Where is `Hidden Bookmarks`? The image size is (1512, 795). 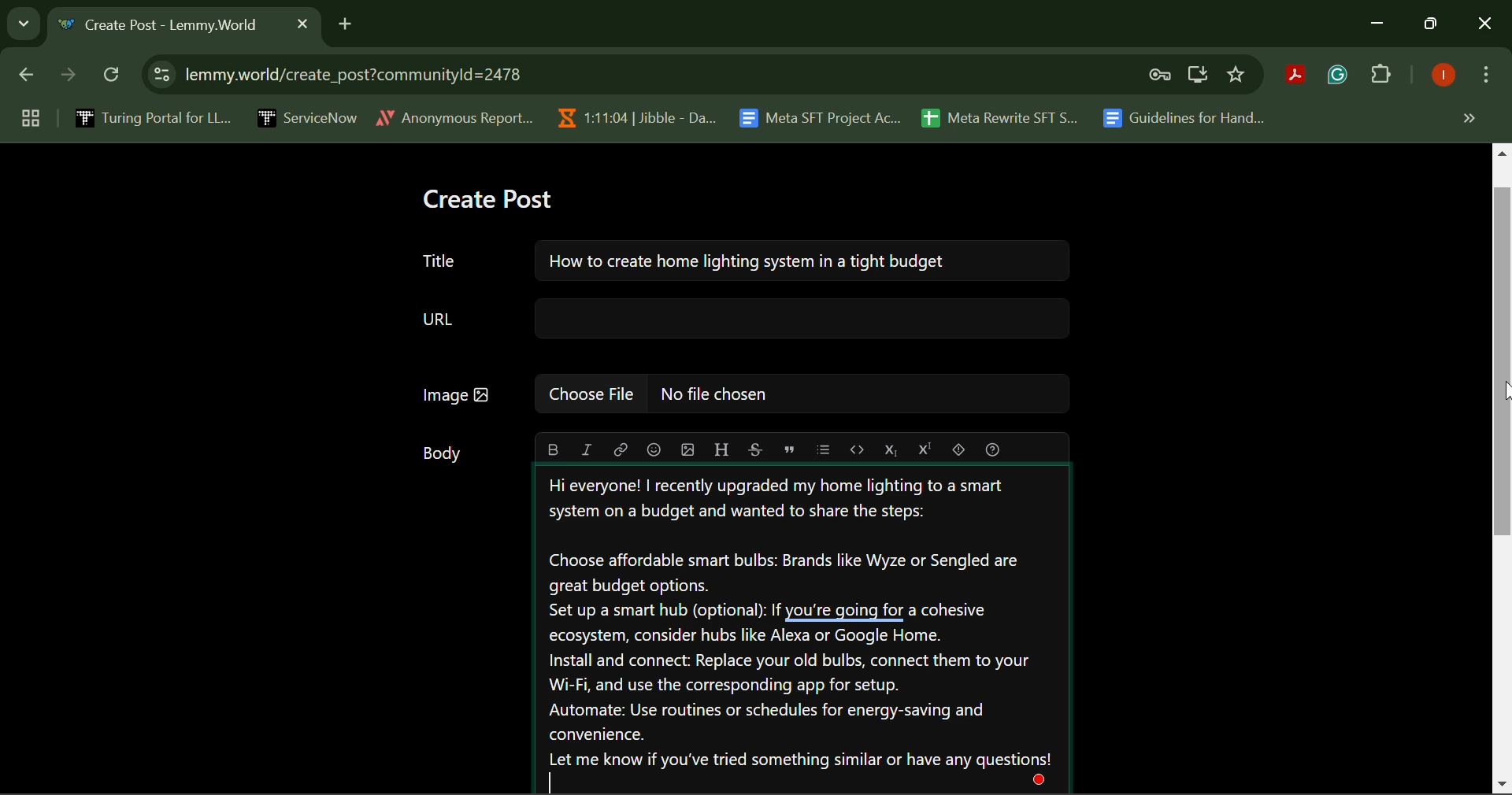 Hidden Bookmarks is located at coordinates (1468, 117).